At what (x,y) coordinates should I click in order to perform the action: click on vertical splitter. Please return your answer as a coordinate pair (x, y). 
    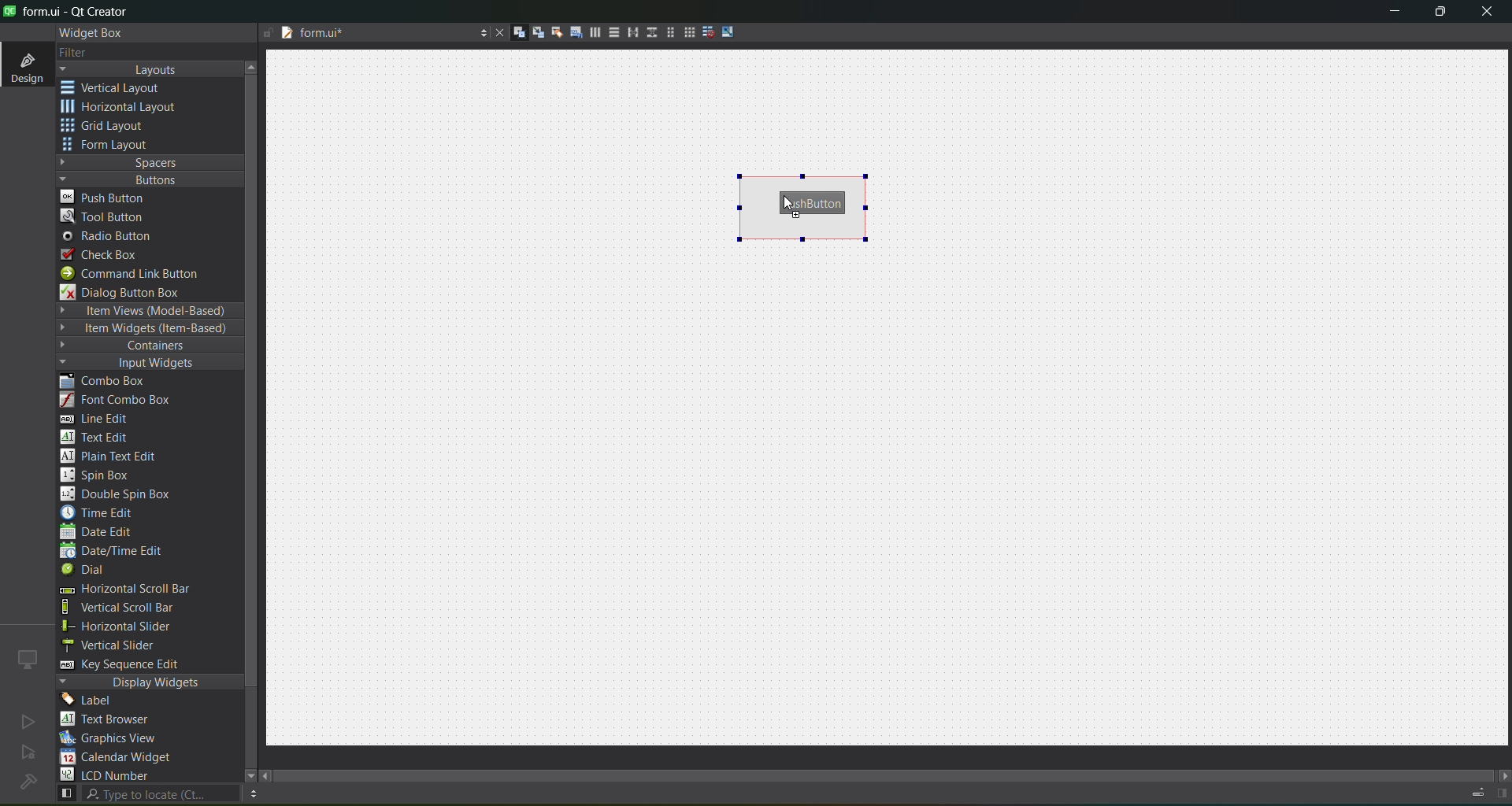
    Looking at the image, I should click on (650, 35).